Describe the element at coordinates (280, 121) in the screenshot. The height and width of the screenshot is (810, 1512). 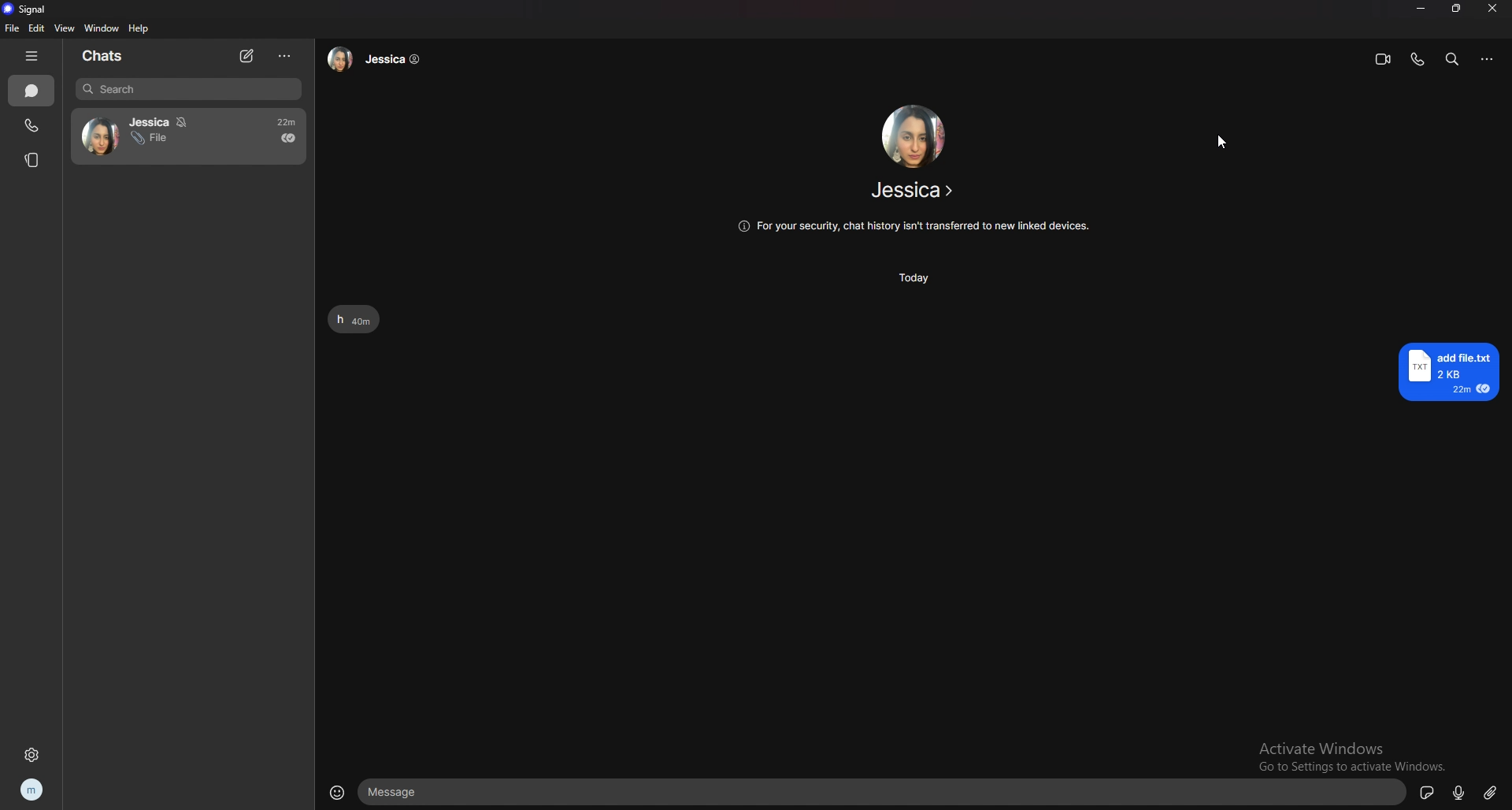
I see `22m` at that location.